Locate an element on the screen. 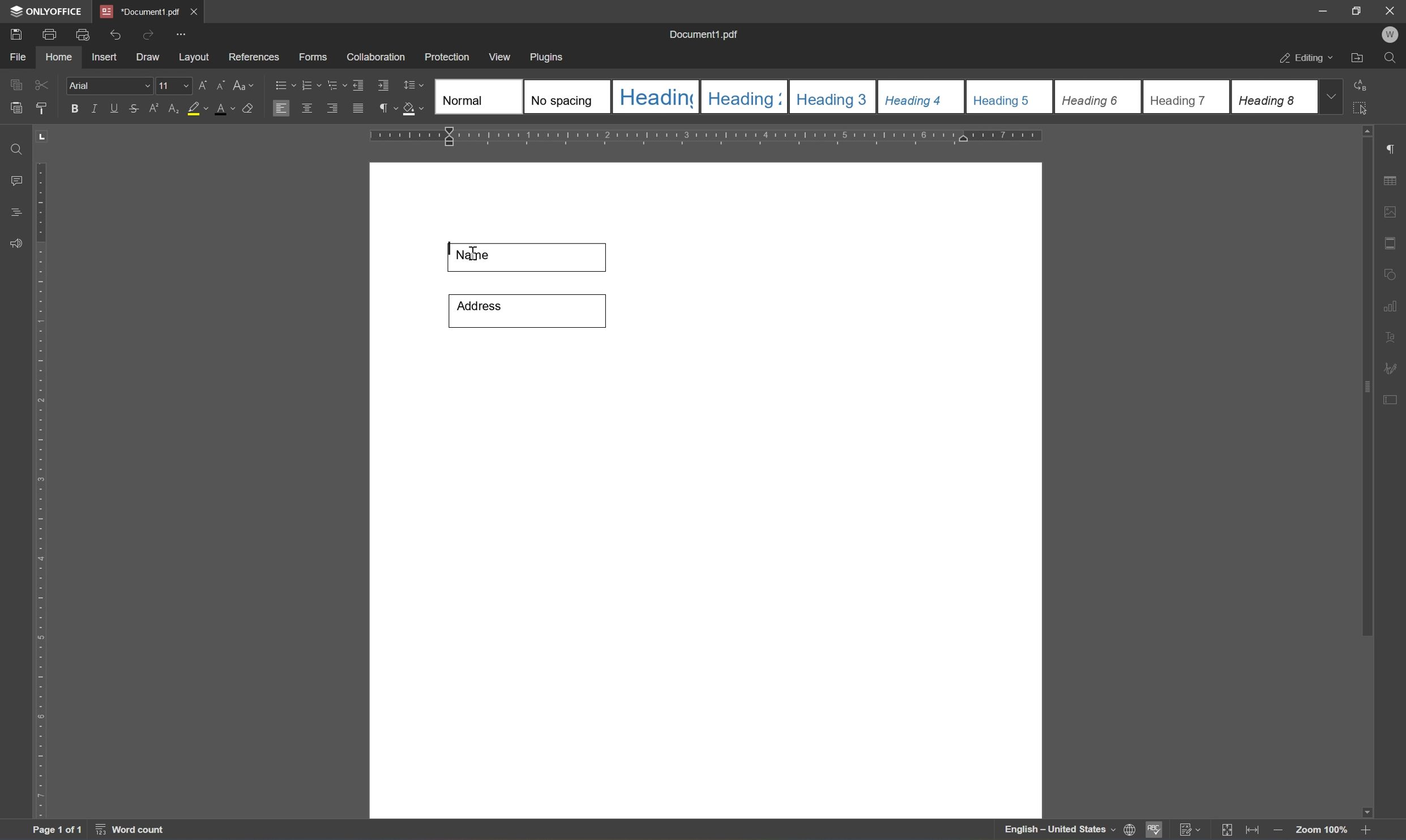 Image resolution: width=1406 pixels, height=840 pixels. open file location is located at coordinates (1357, 58).